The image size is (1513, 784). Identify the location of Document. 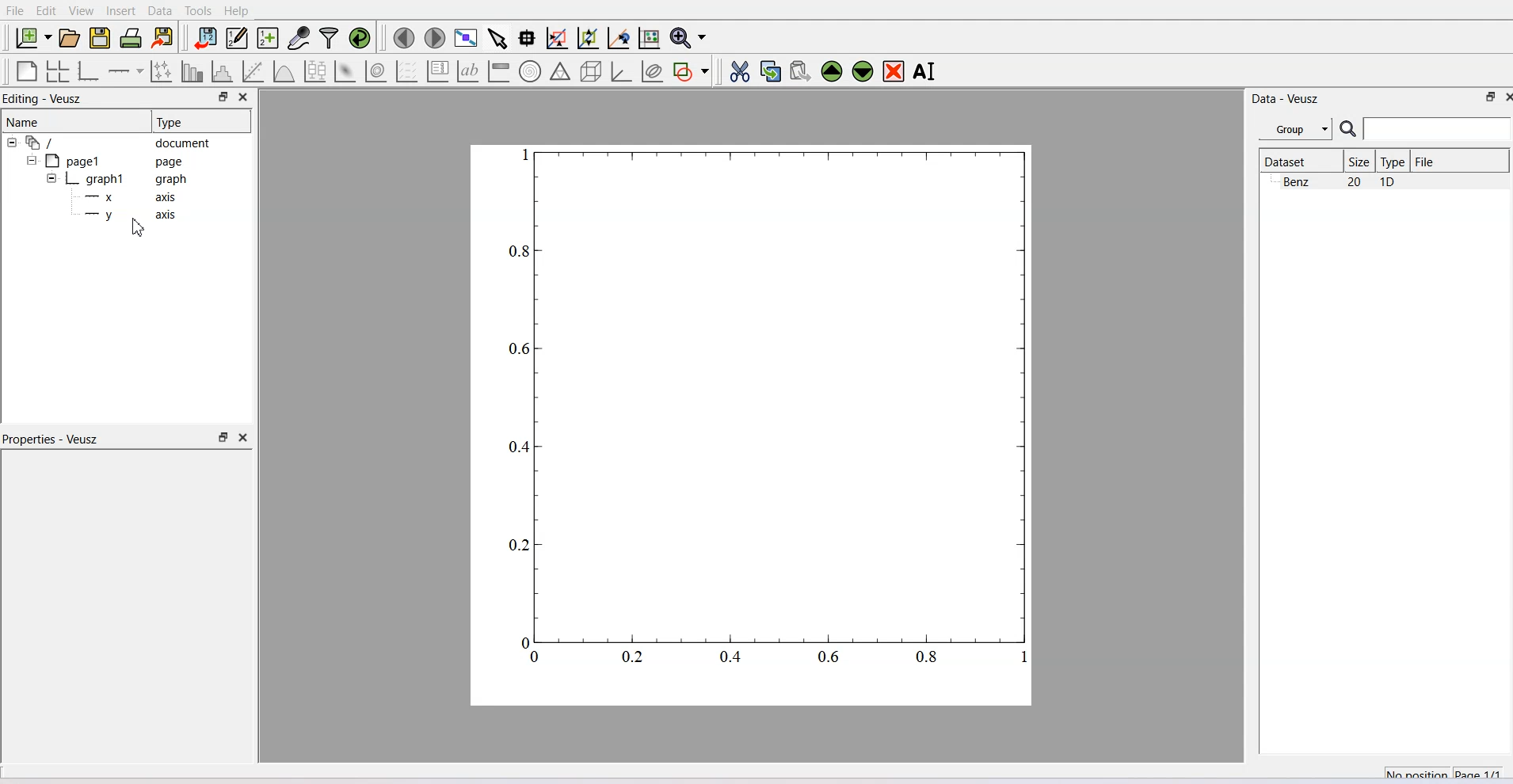
(119, 142).